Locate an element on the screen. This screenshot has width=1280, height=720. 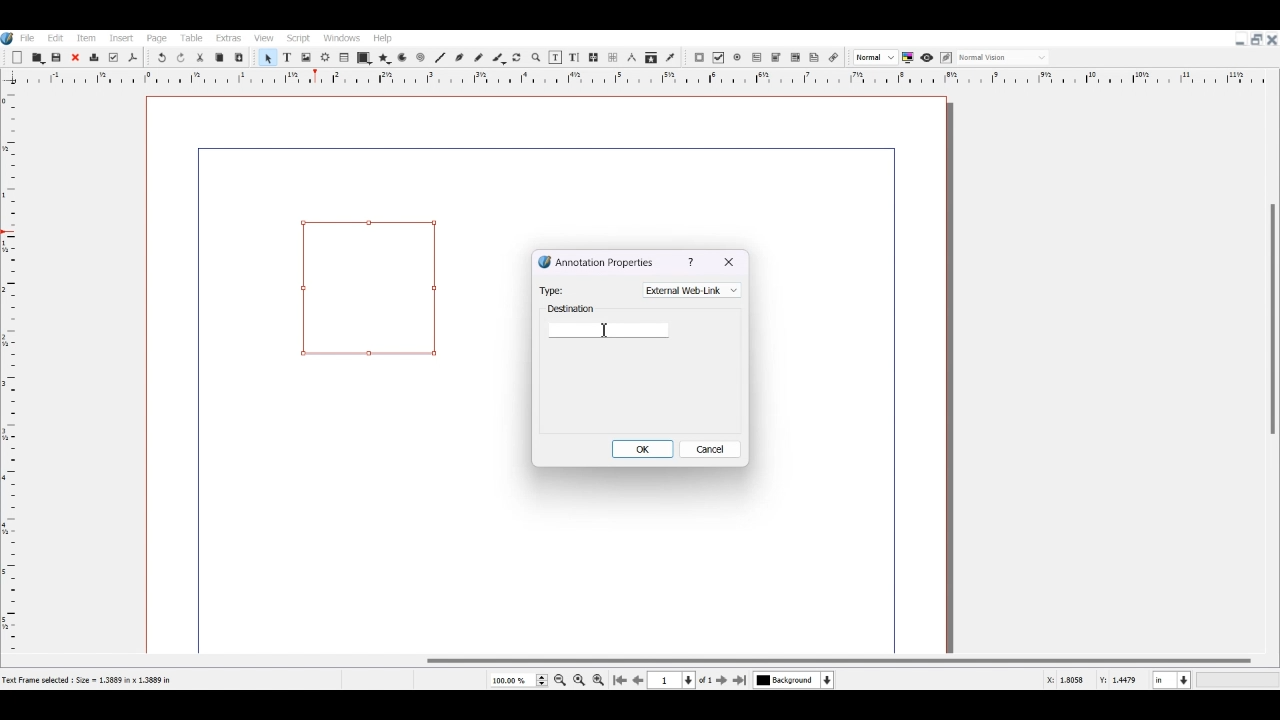
Vertical Scroll Bar is located at coordinates (1271, 360).